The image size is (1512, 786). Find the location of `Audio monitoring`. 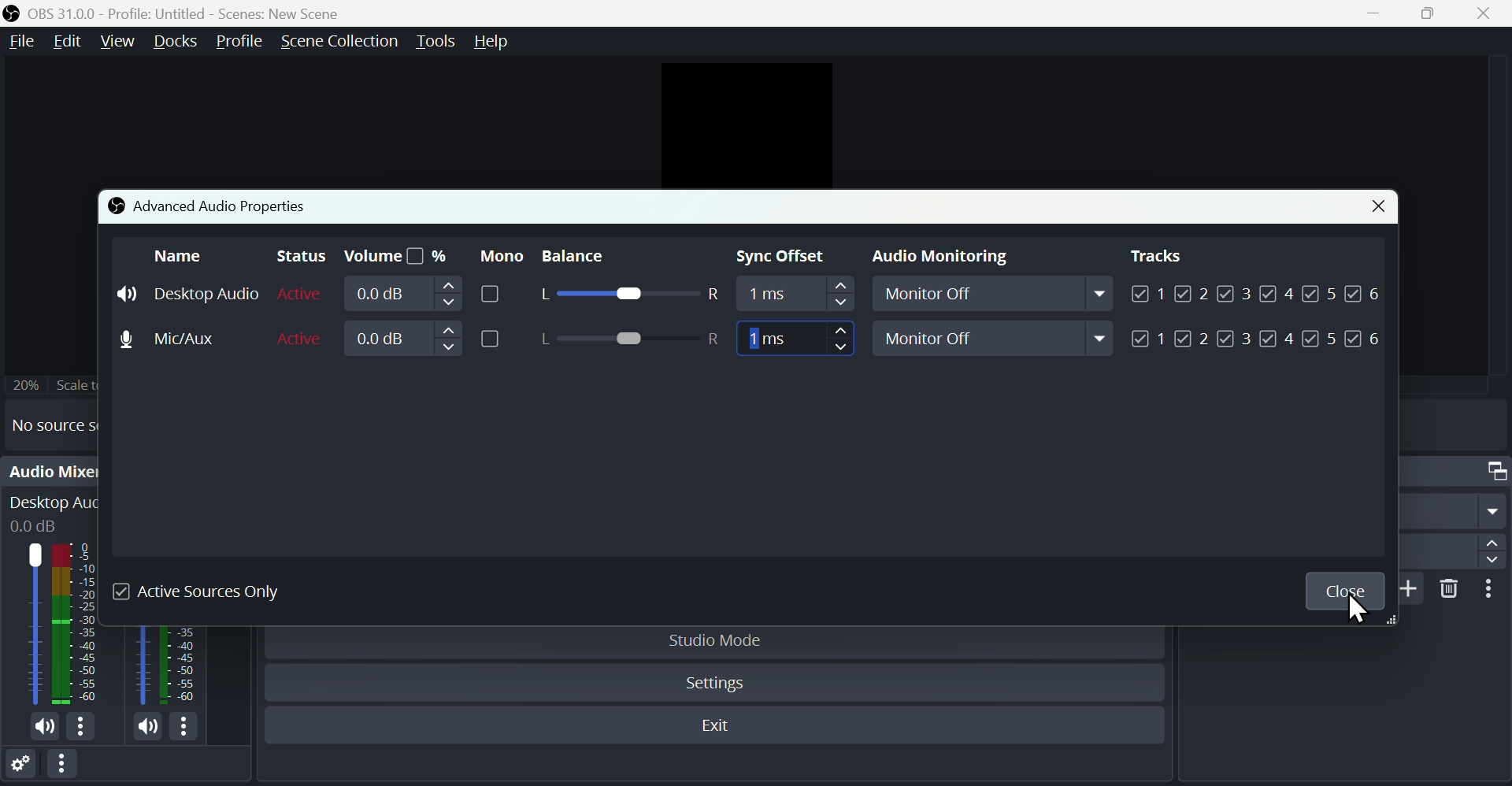

Audio monitoring is located at coordinates (934, 258).